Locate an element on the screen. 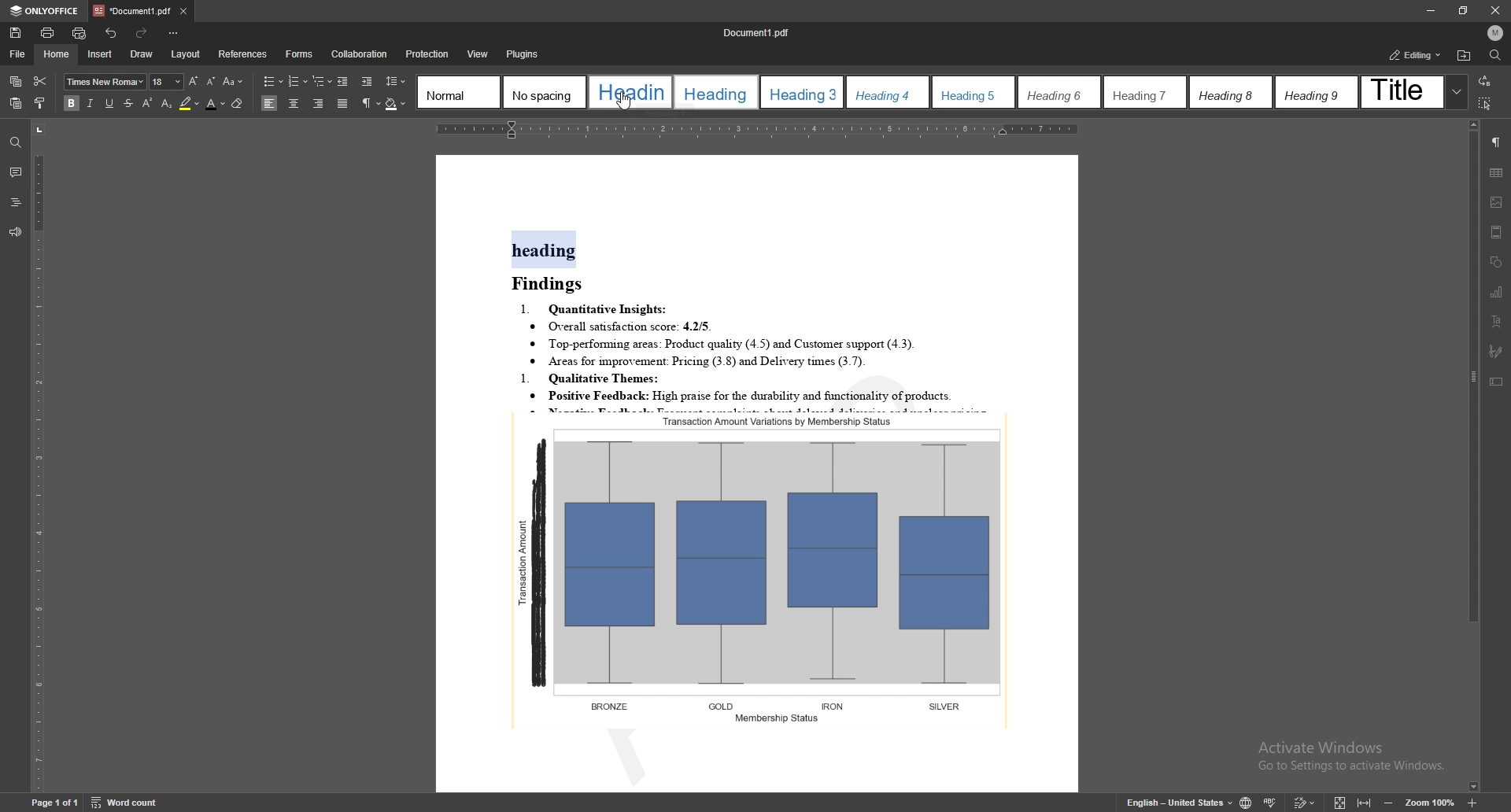  Plugin is located at coordinates (523, 54).